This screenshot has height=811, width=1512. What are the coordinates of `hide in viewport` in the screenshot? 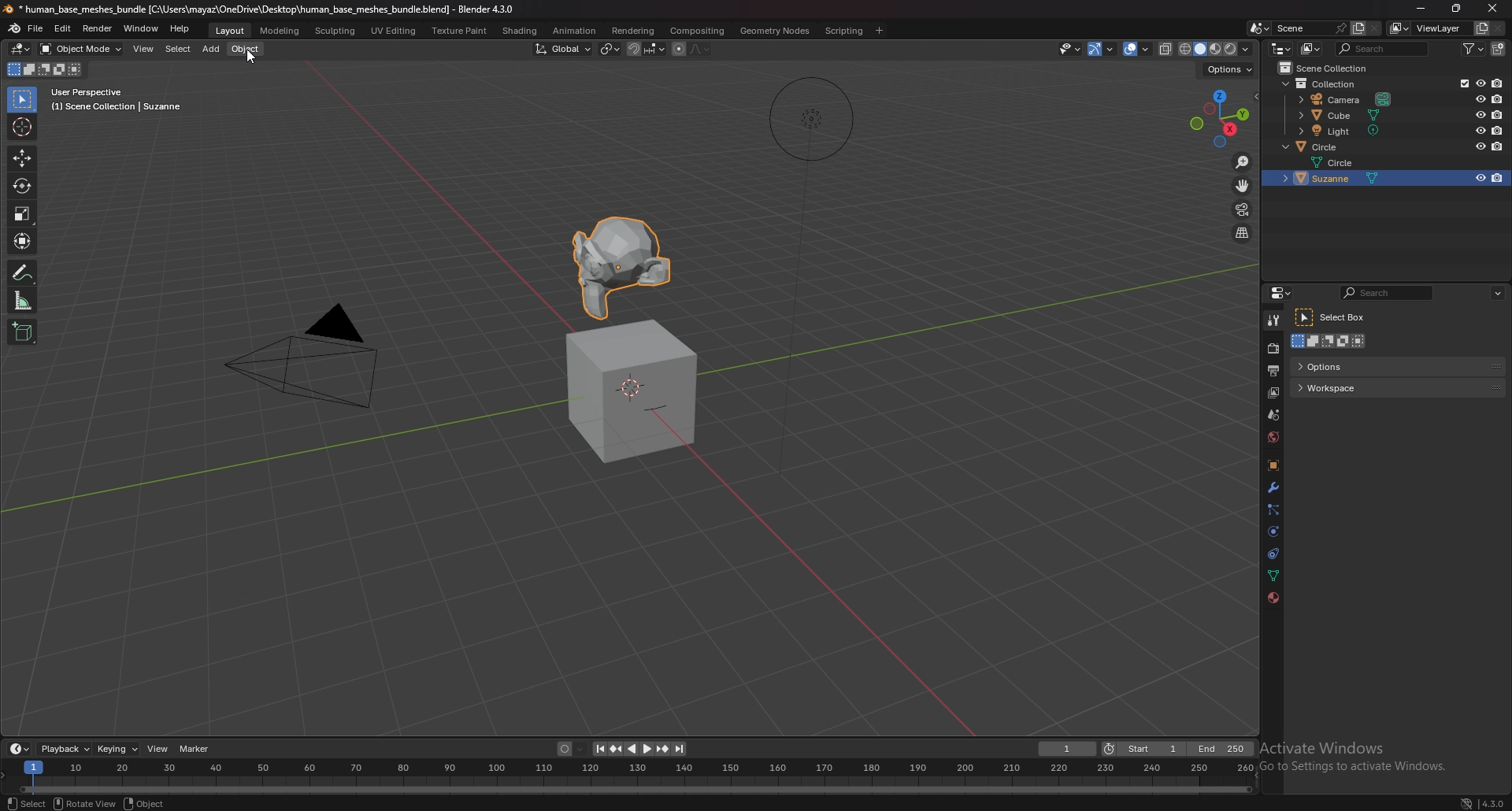 It's located at (1480, 178).